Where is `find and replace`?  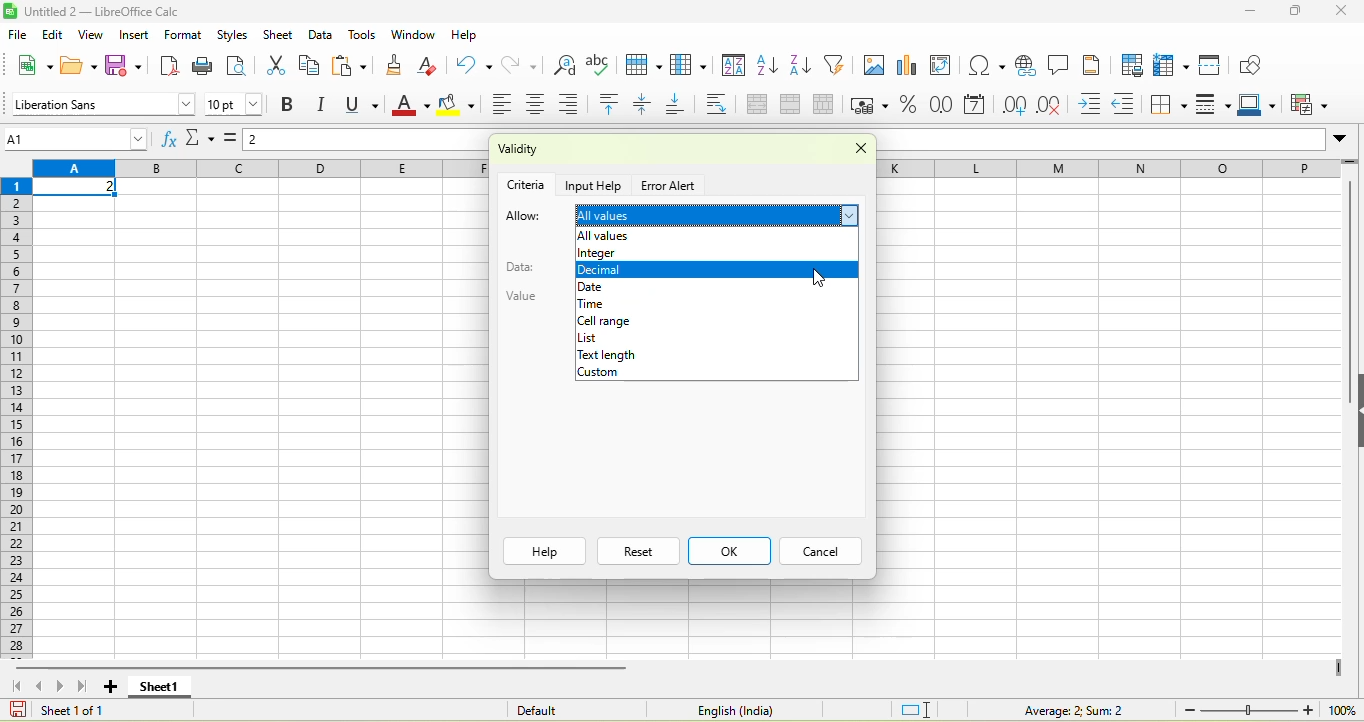 find and replace is located at coordinates (565, 64).